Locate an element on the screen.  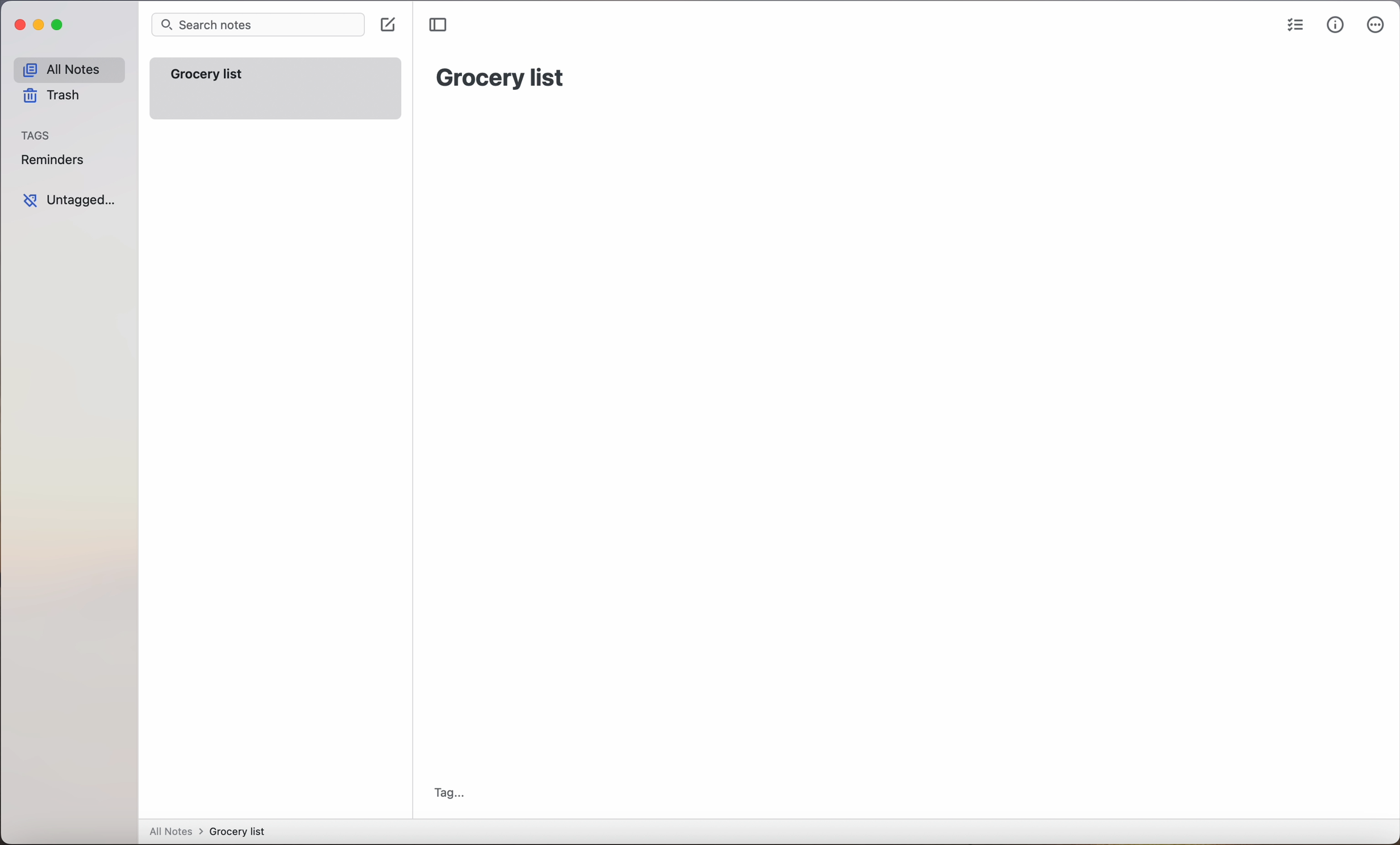
click on create note is located at coordinates (390, 26).